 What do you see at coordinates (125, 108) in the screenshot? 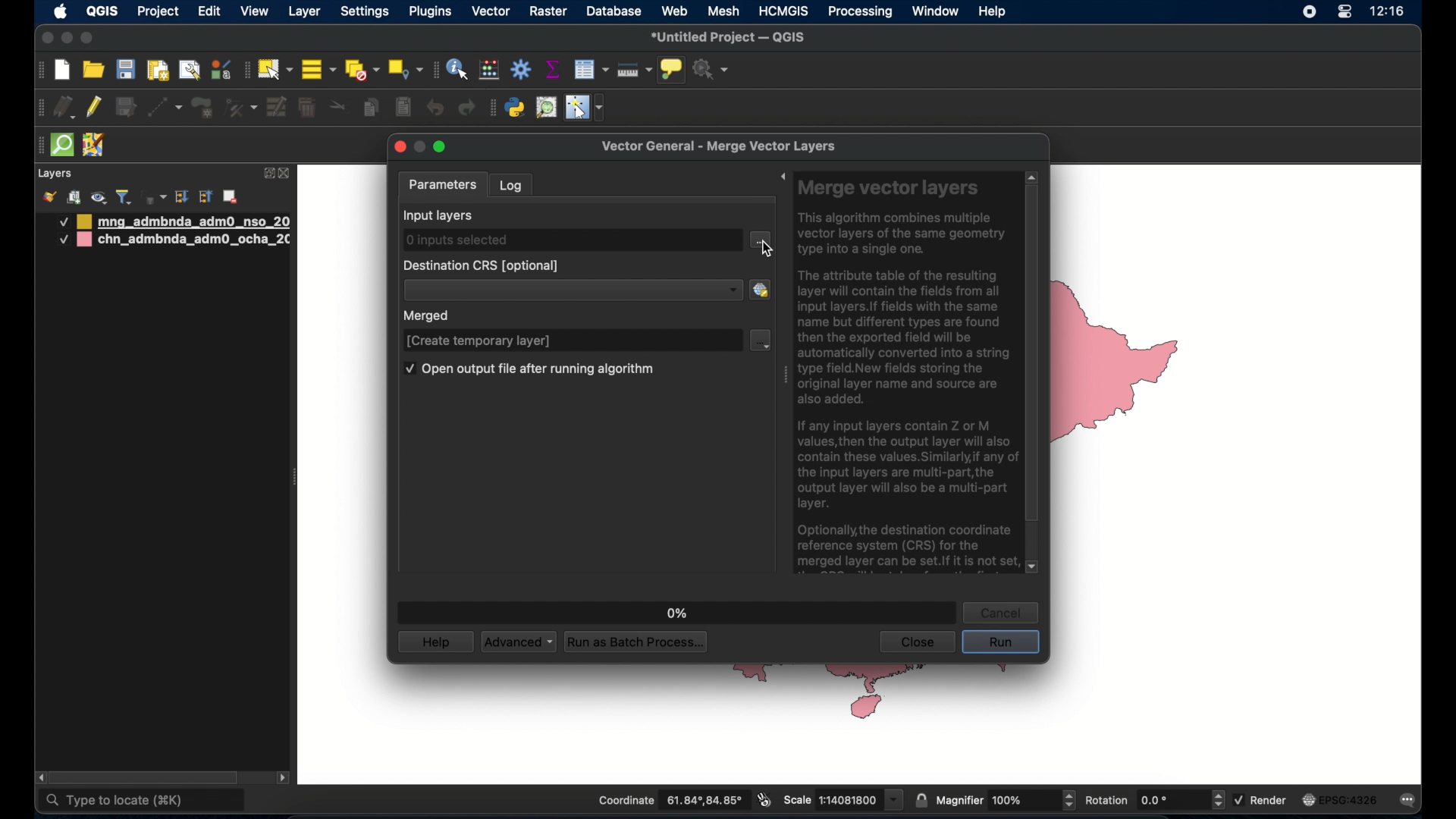
I see `save edits` at bounding box center [125, 108].